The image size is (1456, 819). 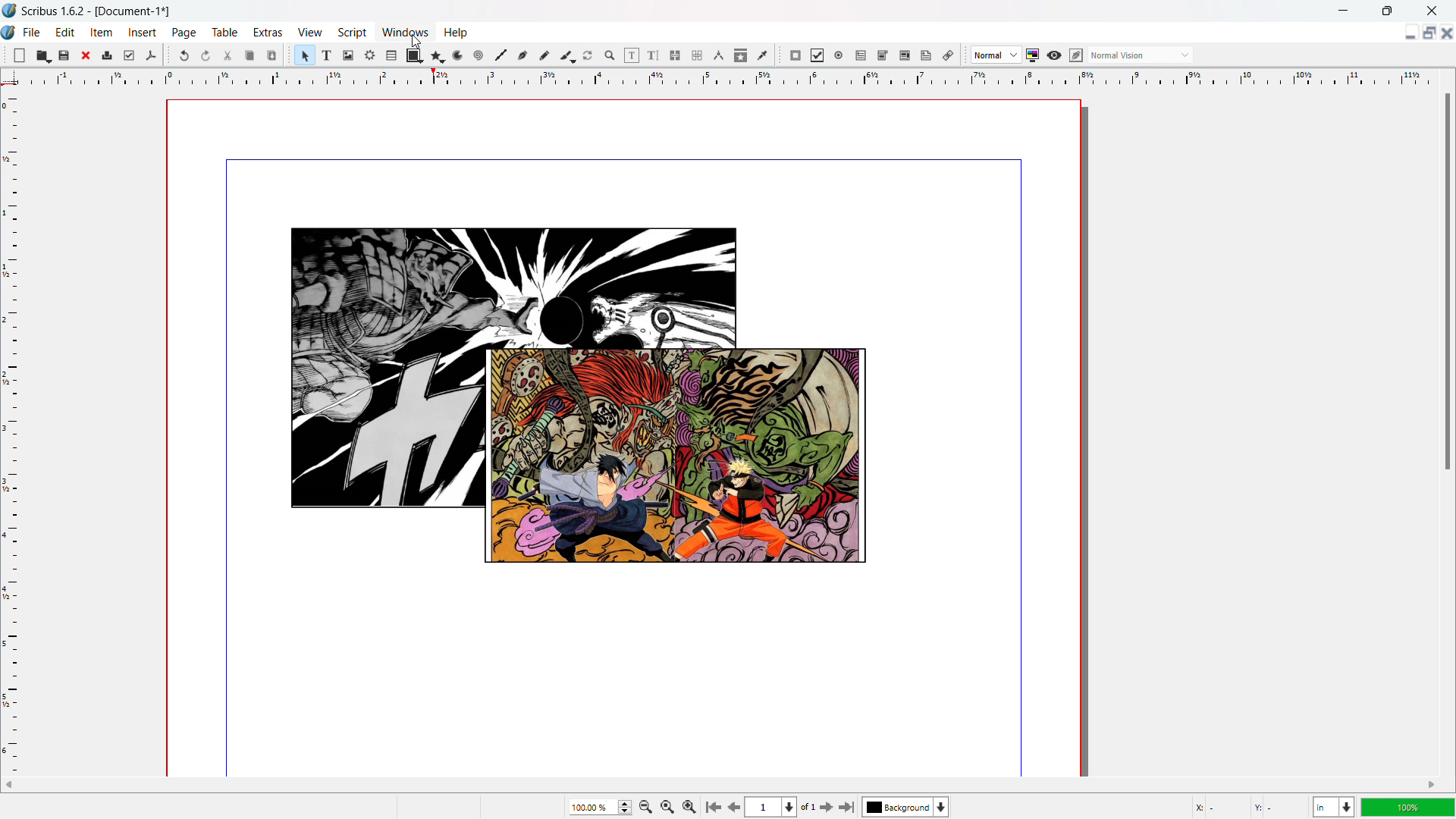 I want to click on insert, so click(x=143, y=32).